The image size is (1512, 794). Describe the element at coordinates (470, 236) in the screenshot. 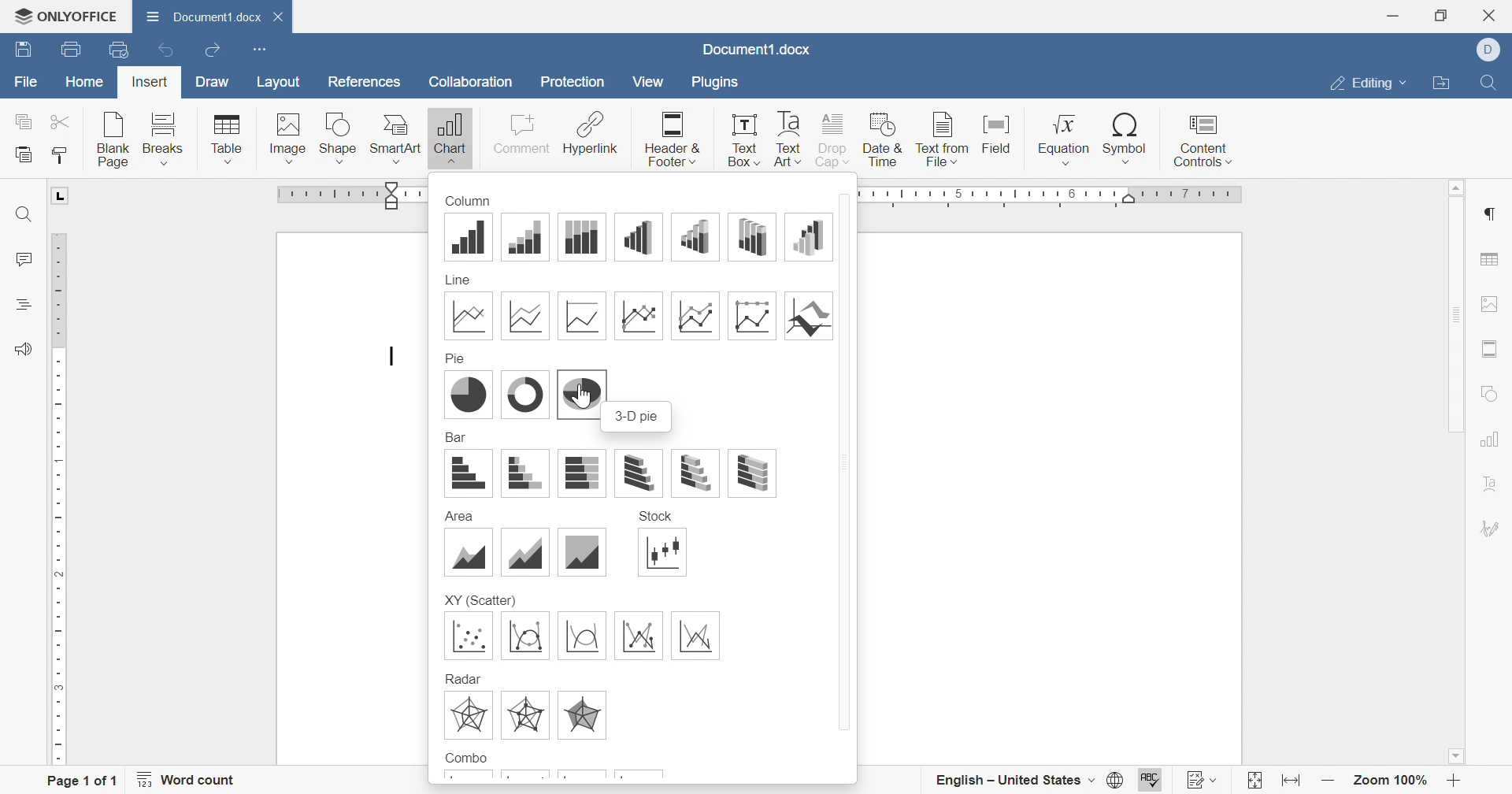

I see `Clustered column` at that location.